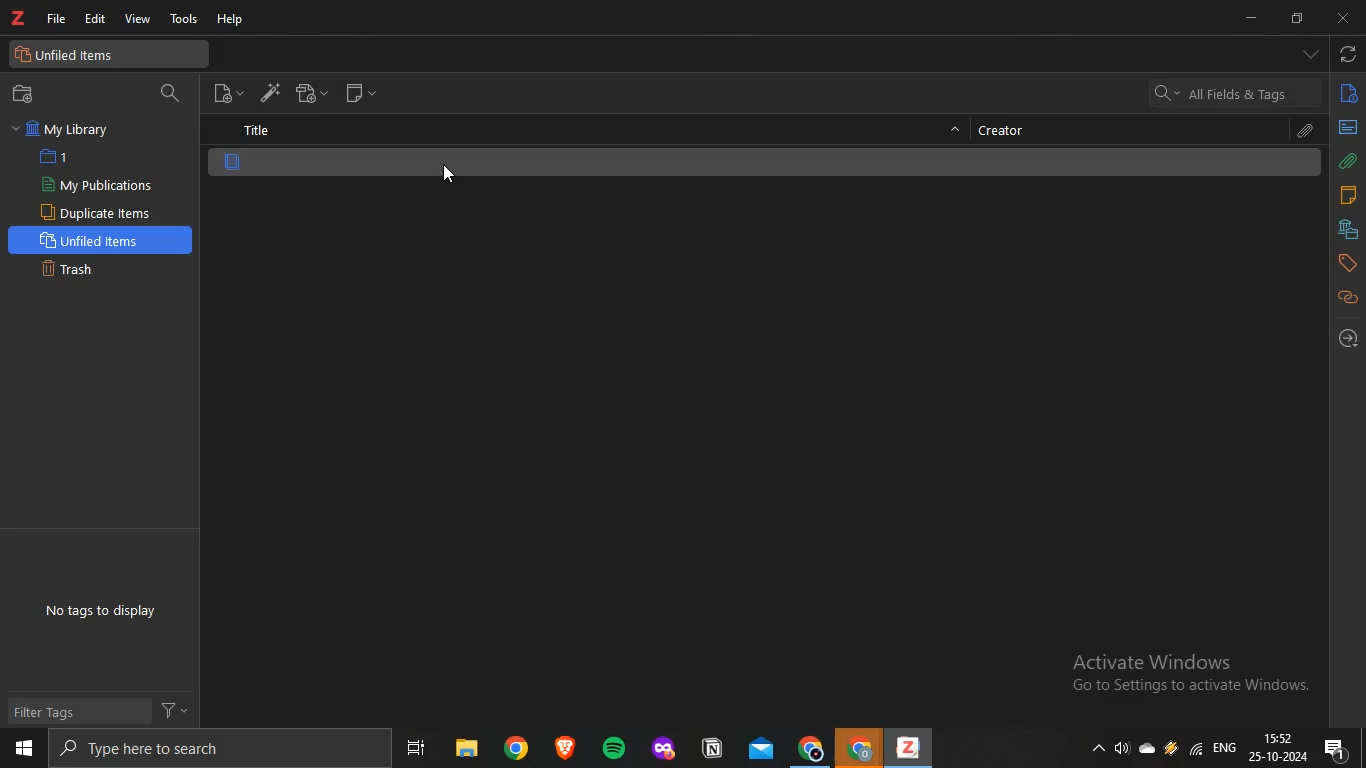  What do you see at coordinates (59, 18) in the screenshot?
I see `file` at bounding box center [59, 18].